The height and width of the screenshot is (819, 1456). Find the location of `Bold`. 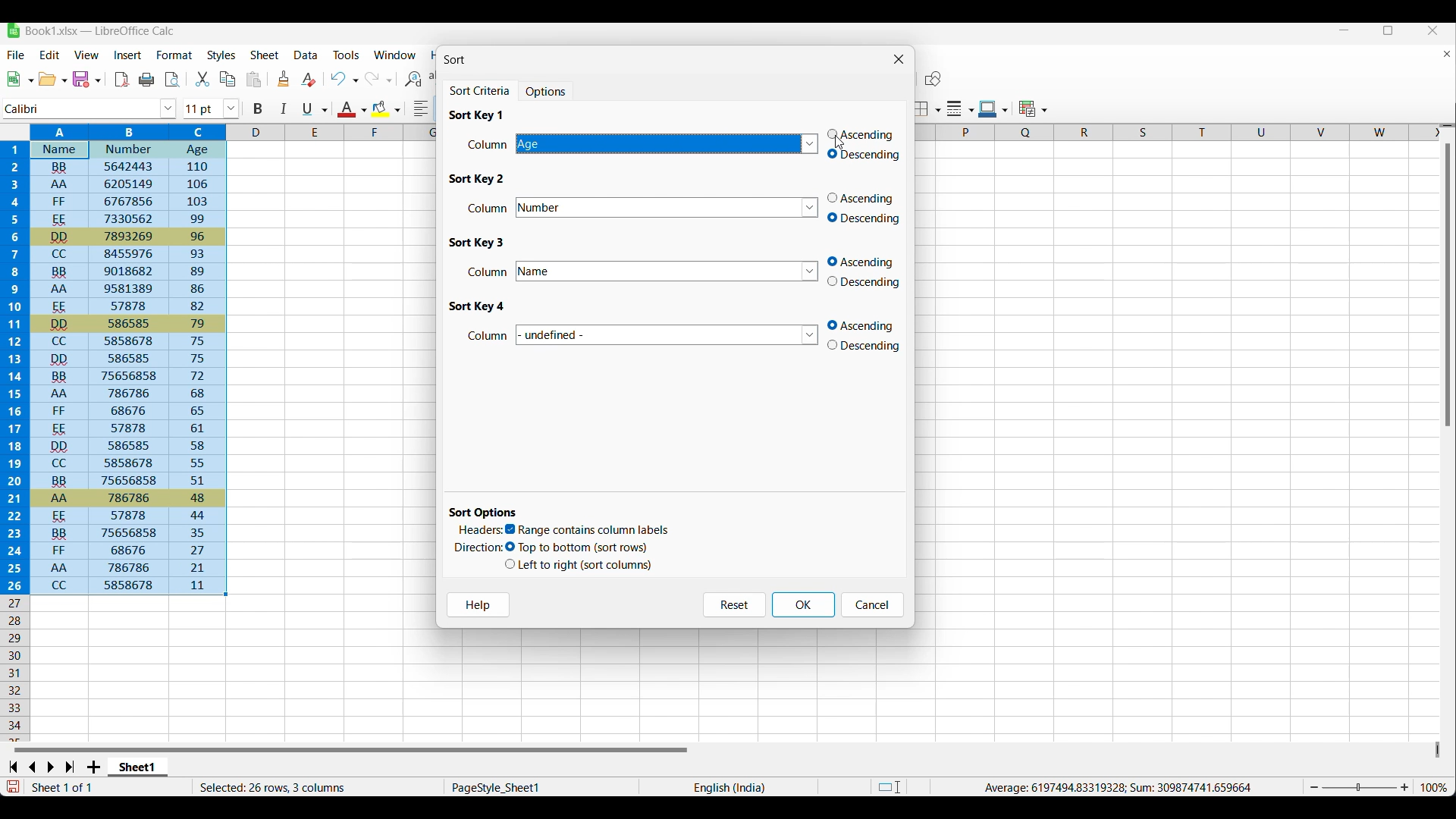

Bold is located at coordinates (258, 109).